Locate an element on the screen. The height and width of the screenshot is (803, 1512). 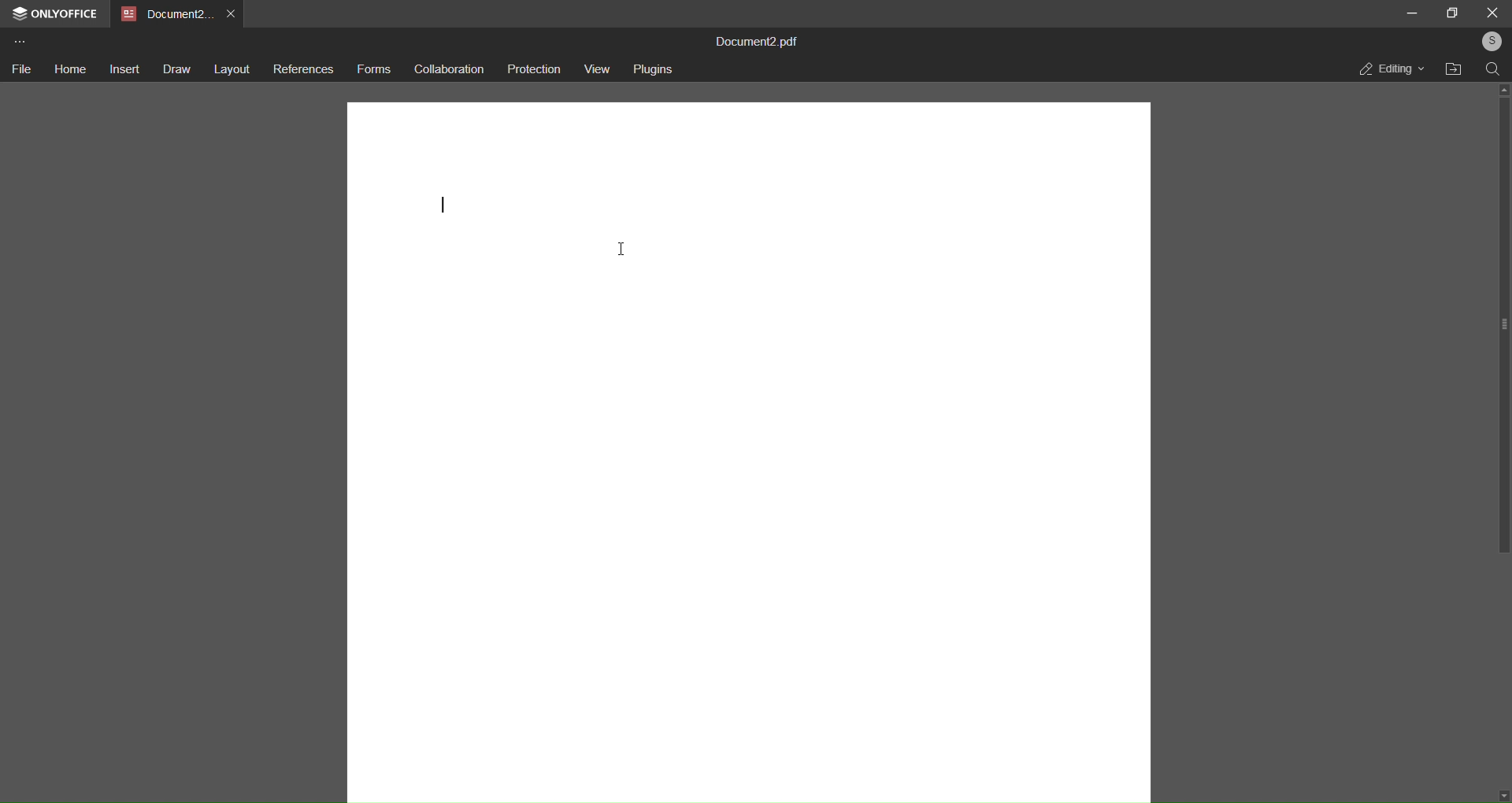
up is located at coordinates (1501, 88).